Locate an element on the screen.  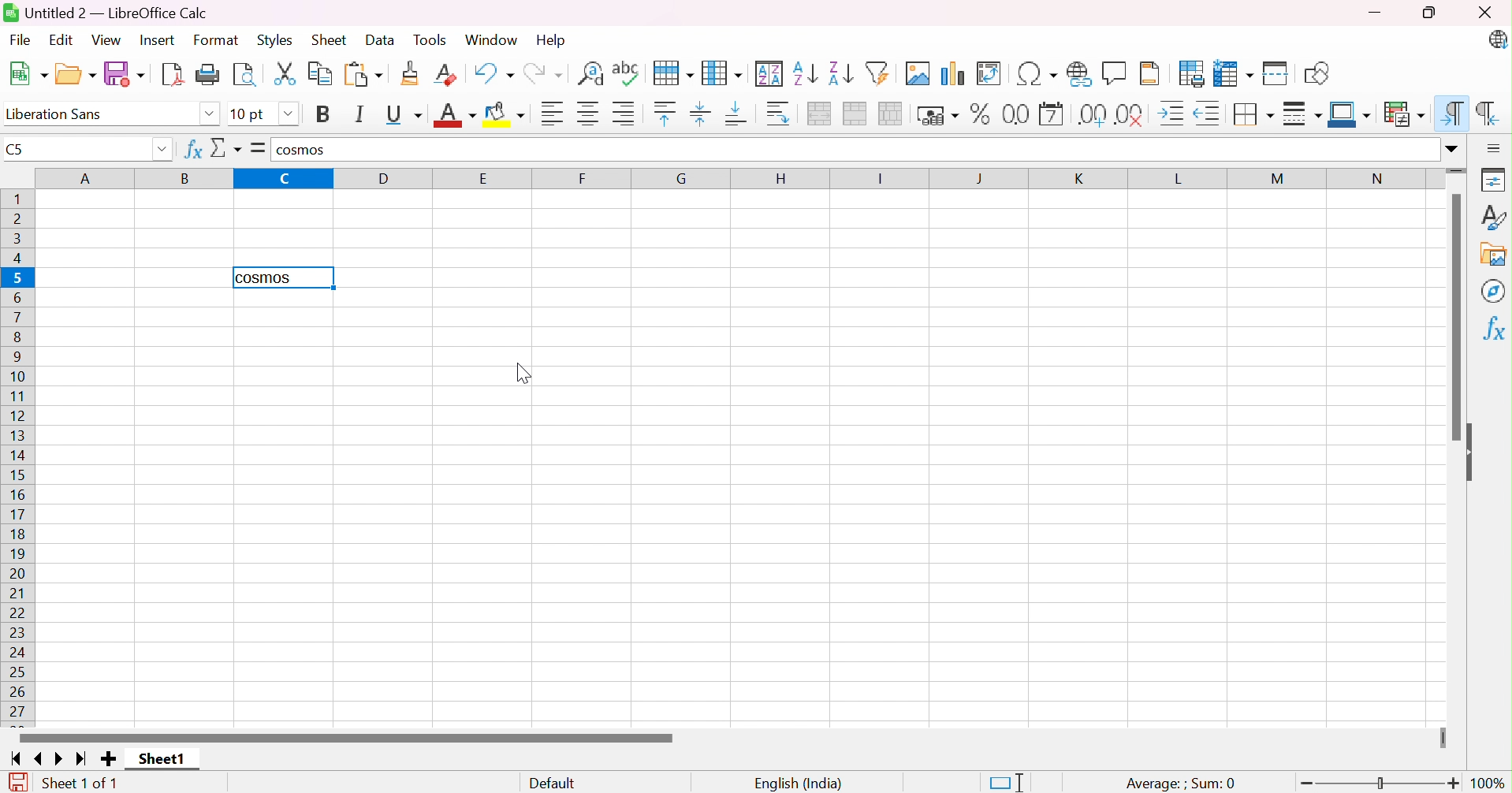
Edit is located at coordinates (65, 41).